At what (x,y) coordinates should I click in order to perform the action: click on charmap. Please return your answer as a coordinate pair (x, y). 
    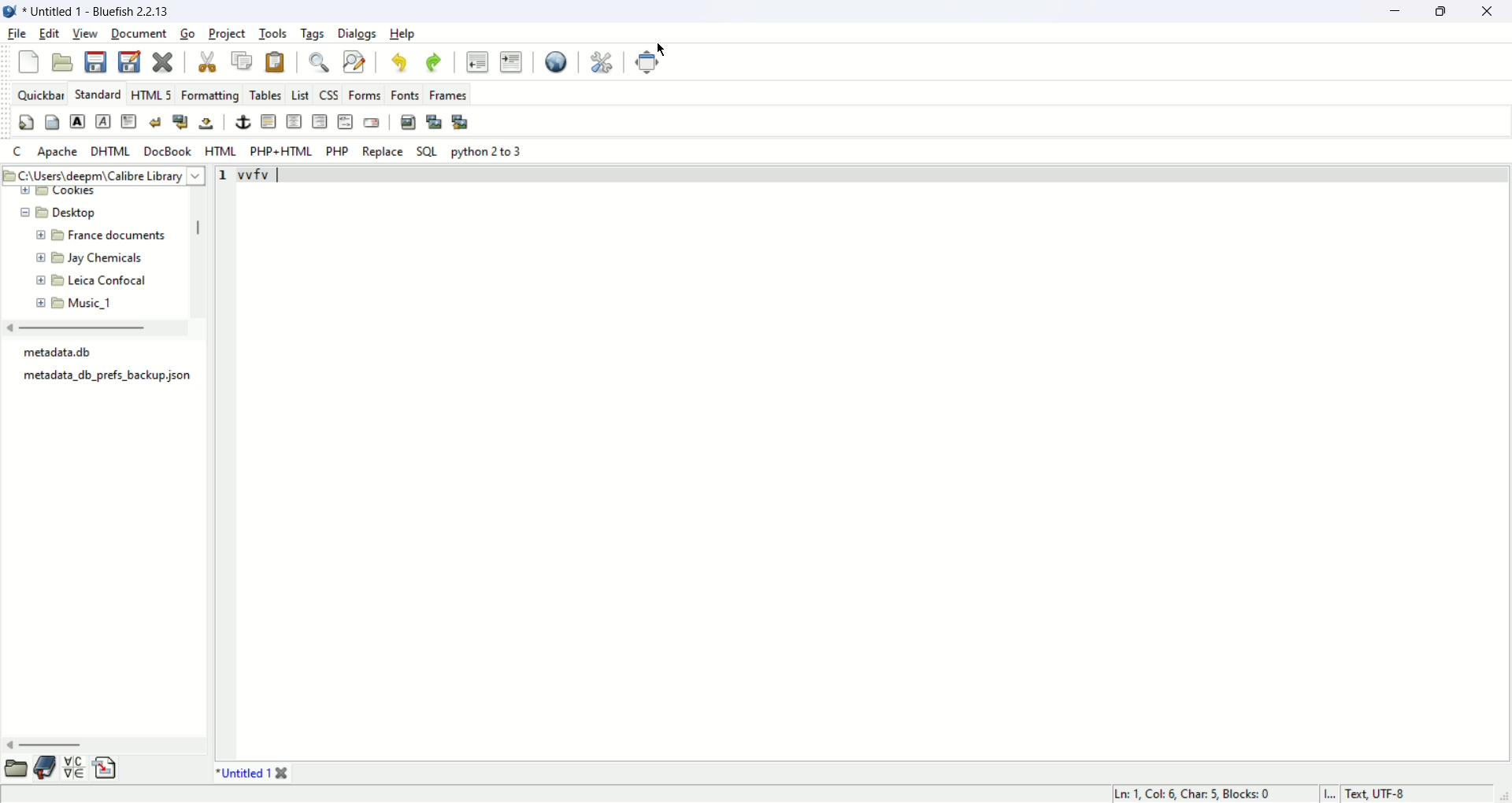
    Looking at the image, I should click on (72, 770).